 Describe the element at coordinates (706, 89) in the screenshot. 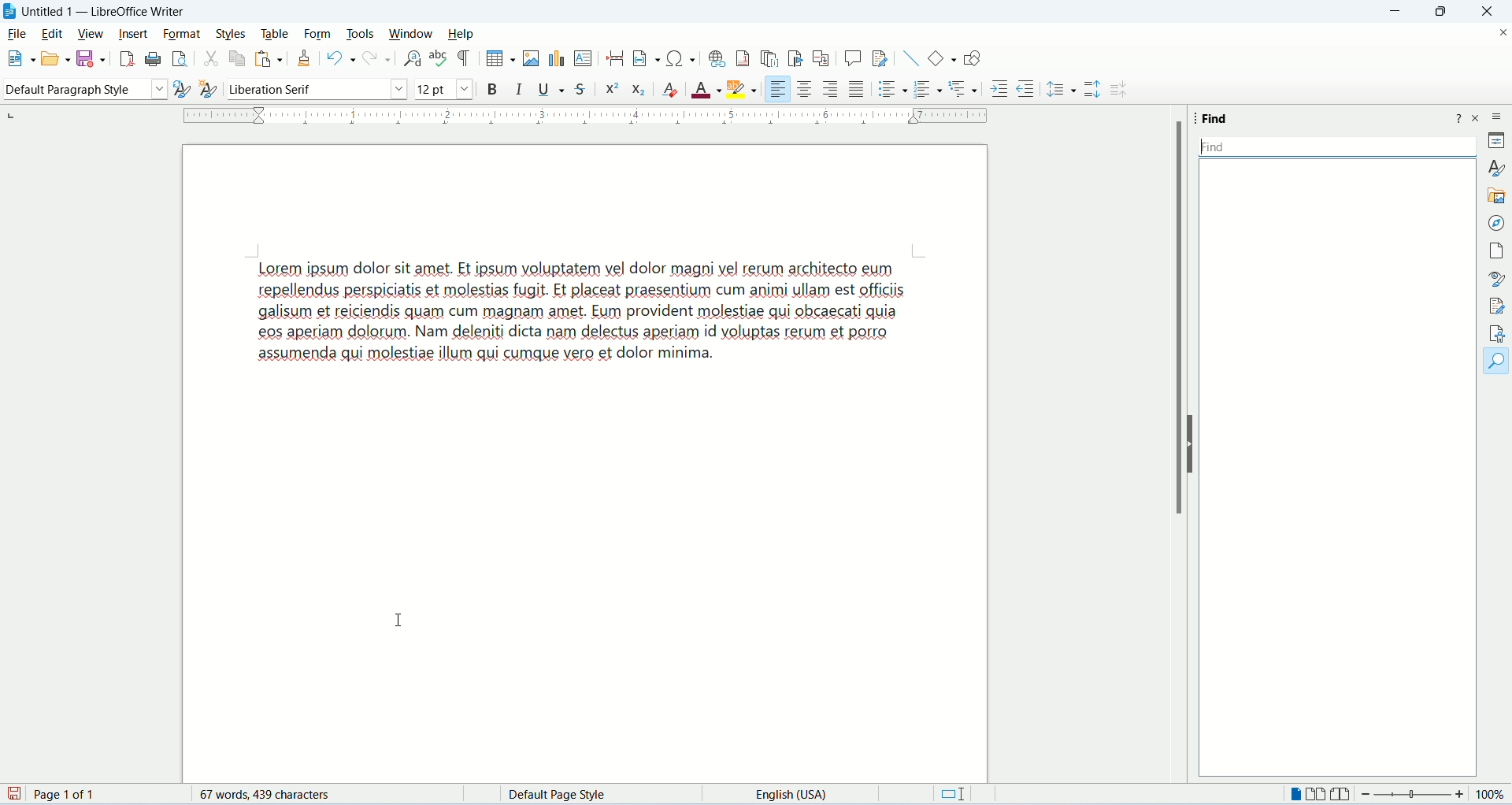

I see `font color` at that location.